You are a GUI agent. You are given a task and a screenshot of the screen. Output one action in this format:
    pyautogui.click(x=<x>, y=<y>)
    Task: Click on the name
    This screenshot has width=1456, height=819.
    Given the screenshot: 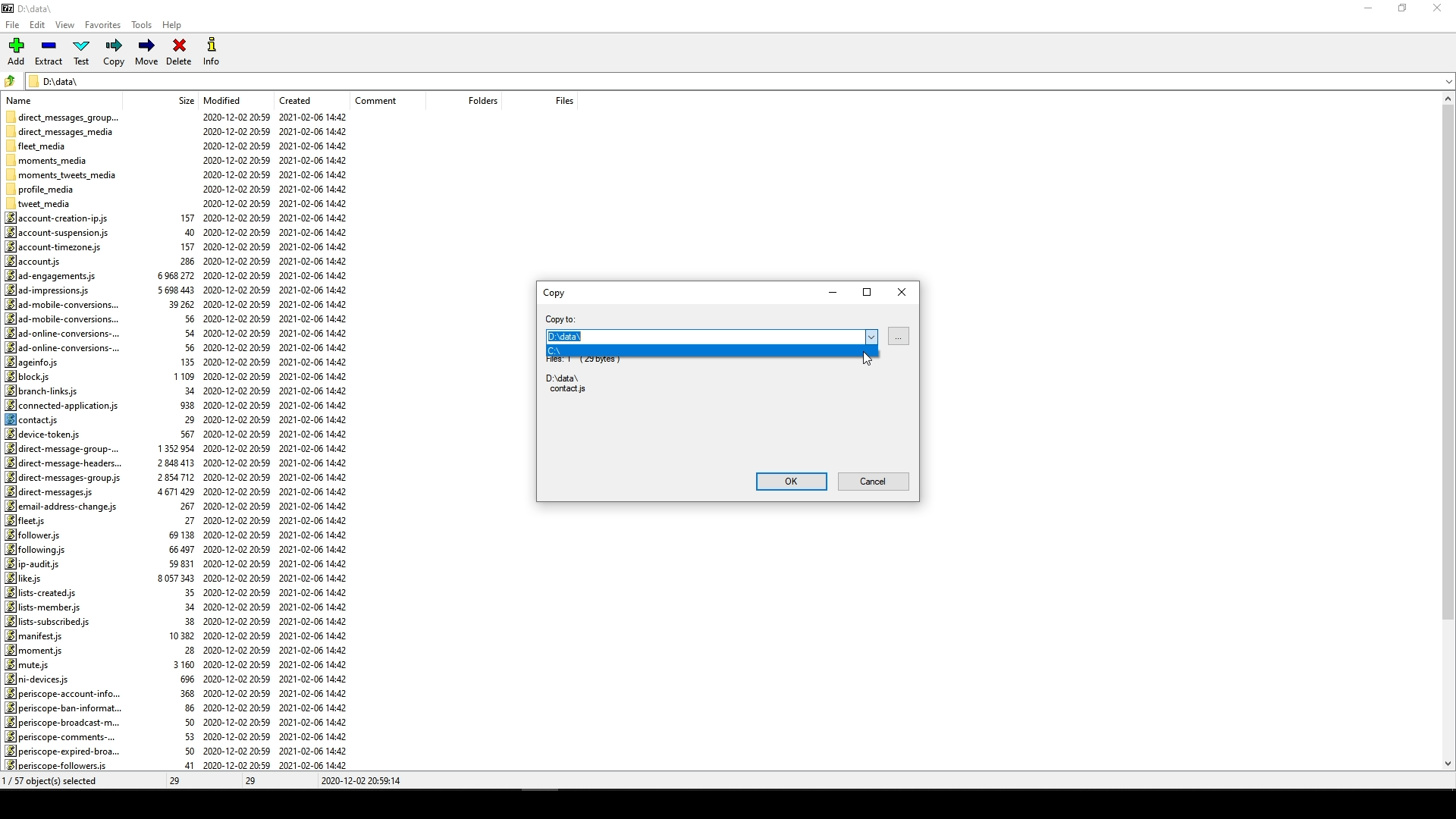 What is the action you would take?
    pyautogui.click(x=24, y=99)
    